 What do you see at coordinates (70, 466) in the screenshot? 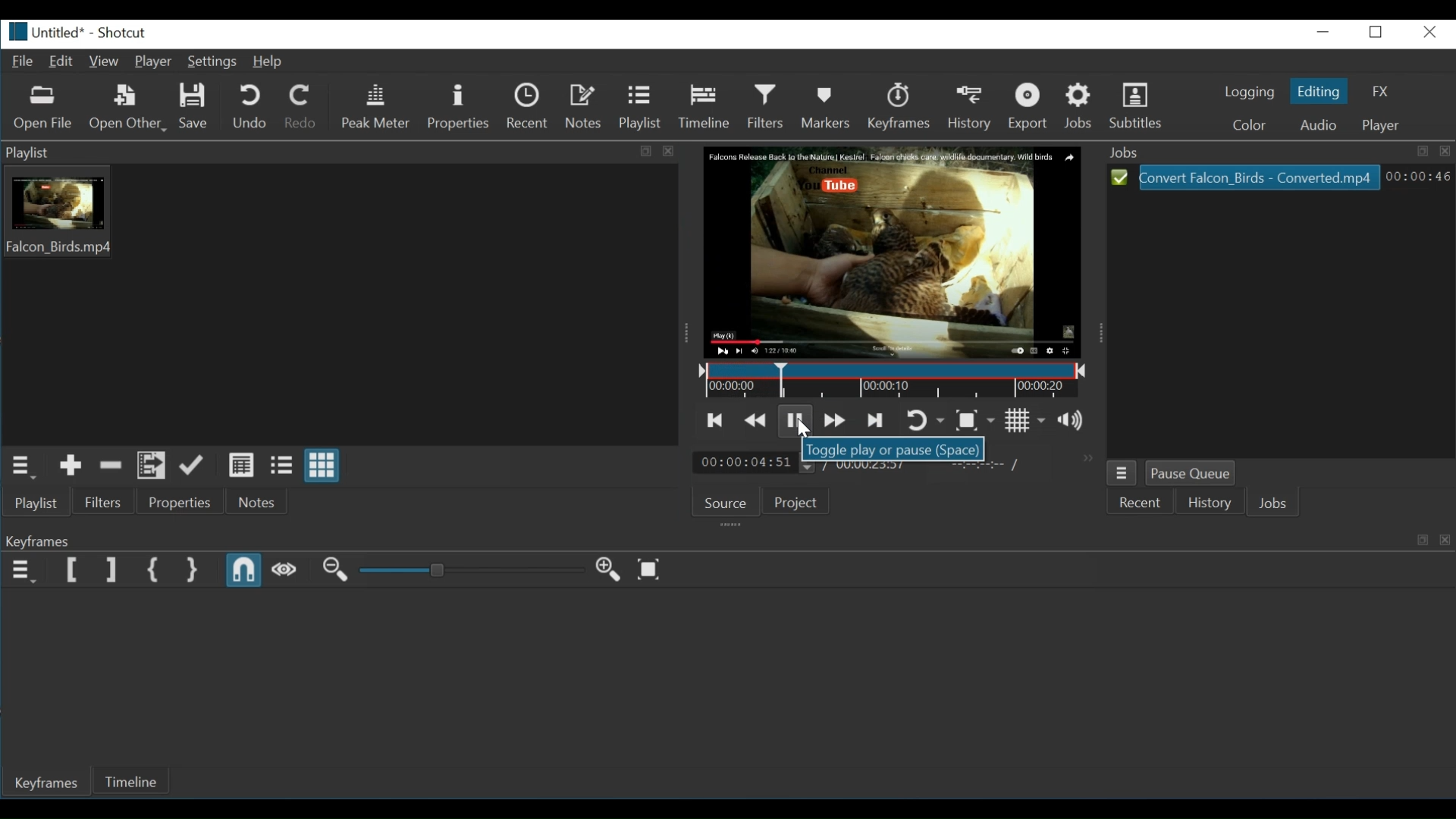
I see `Add the source to the playlist` at bounding box center [70, 466].